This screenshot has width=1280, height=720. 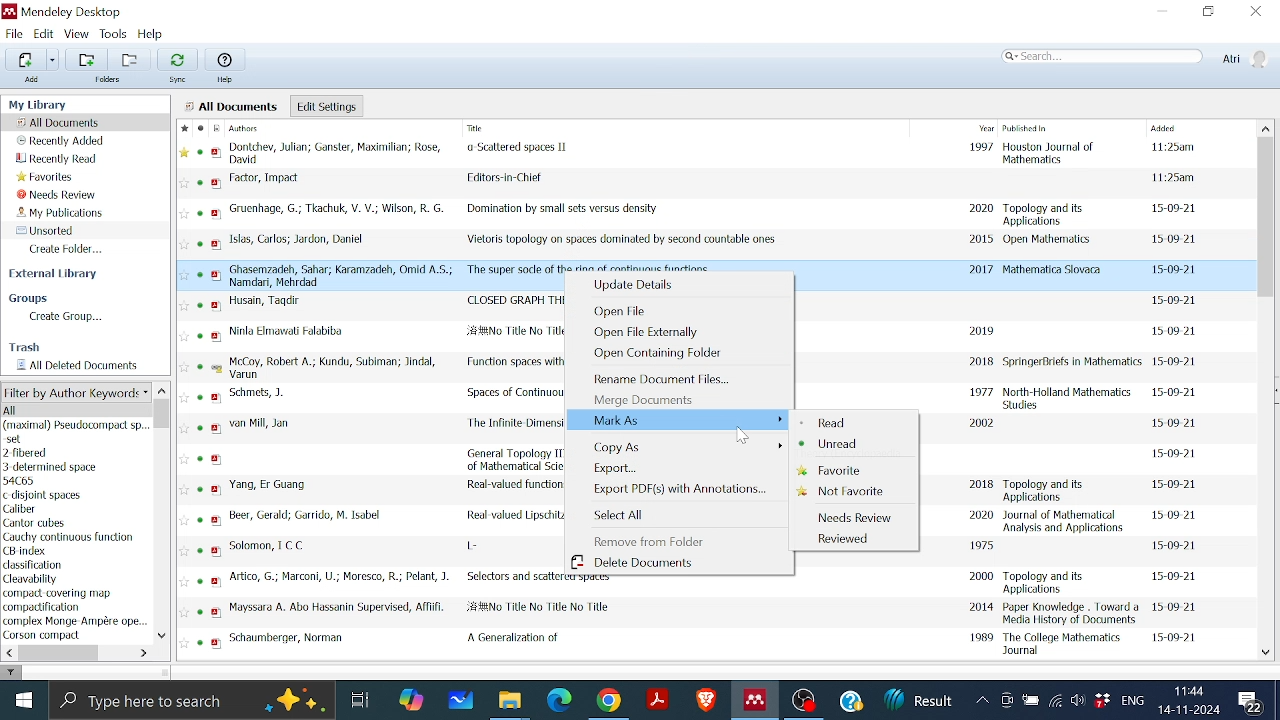 I want to click on text, so click(x=1090, y=276).